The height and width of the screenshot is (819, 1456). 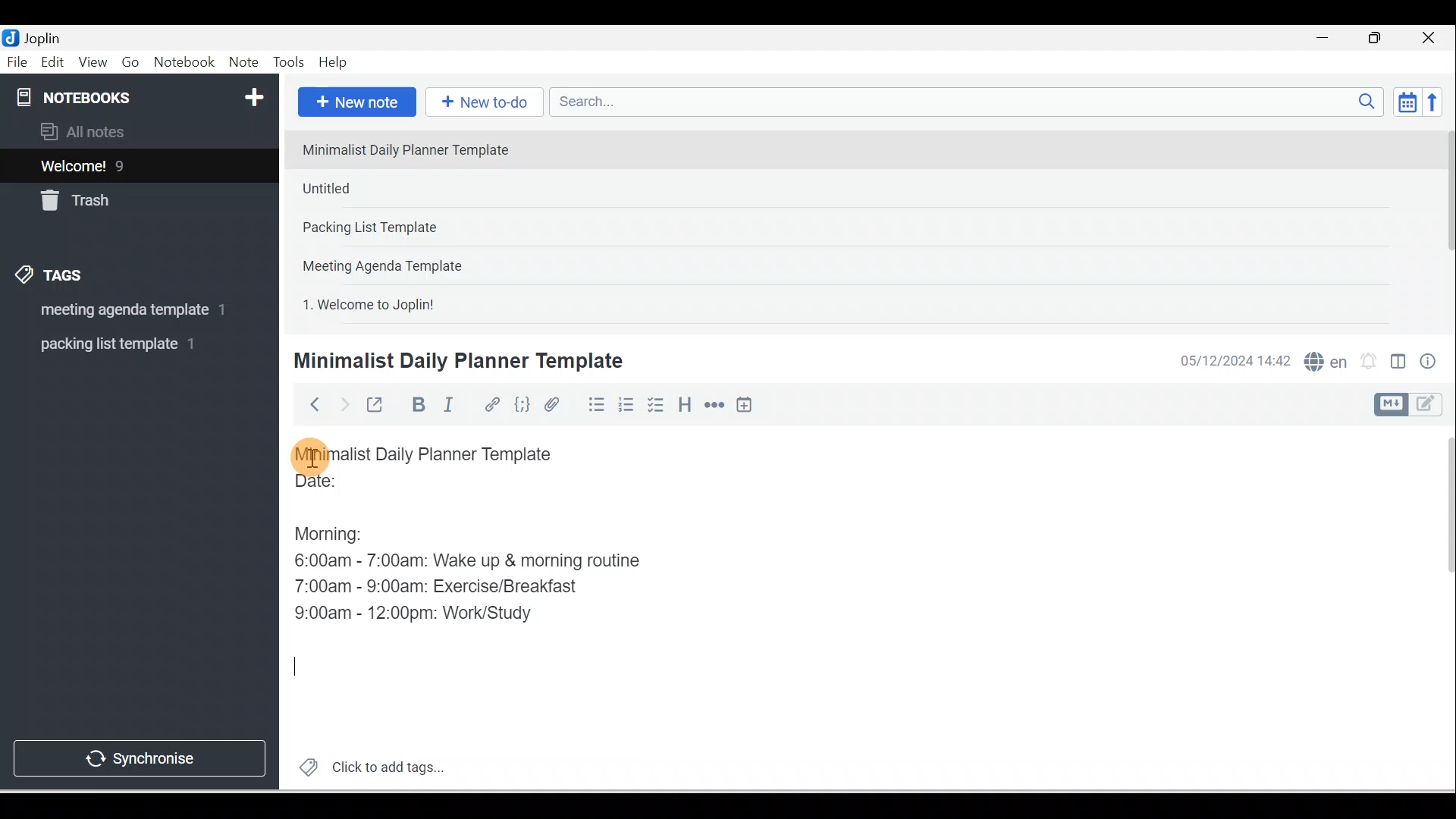 I want to click on Date:, so click(x=359, y=488).